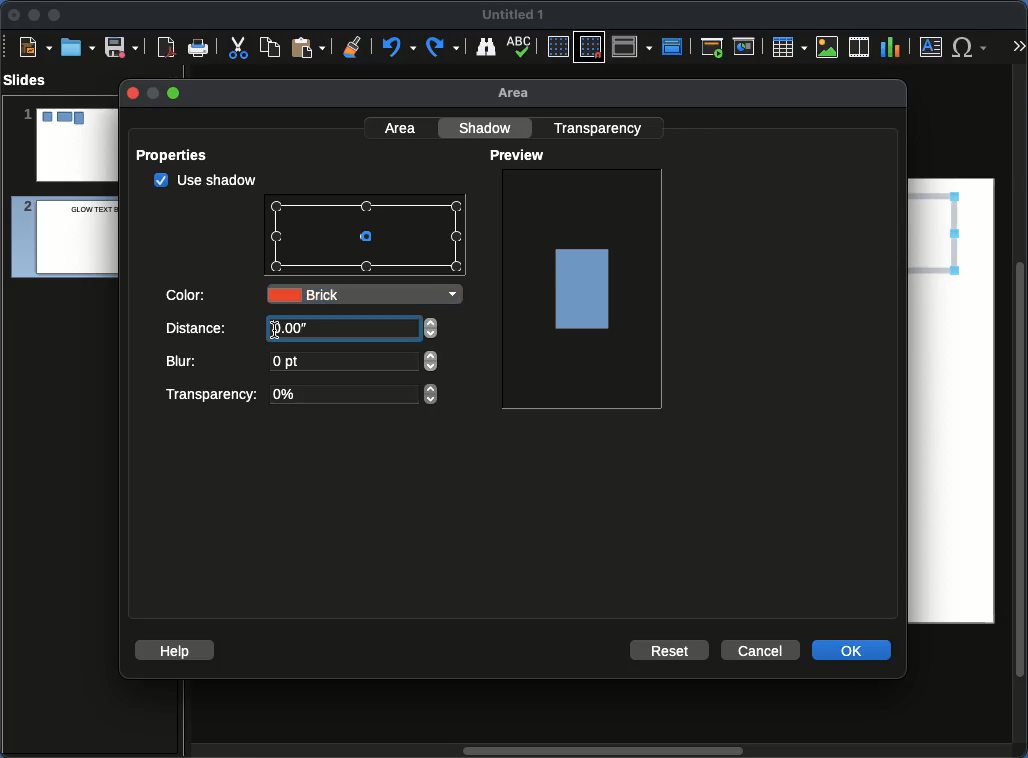 The image size is (1028, 758). Describe the element at coordinates (788, 46) in the screenshot. I see `Table` at that location.